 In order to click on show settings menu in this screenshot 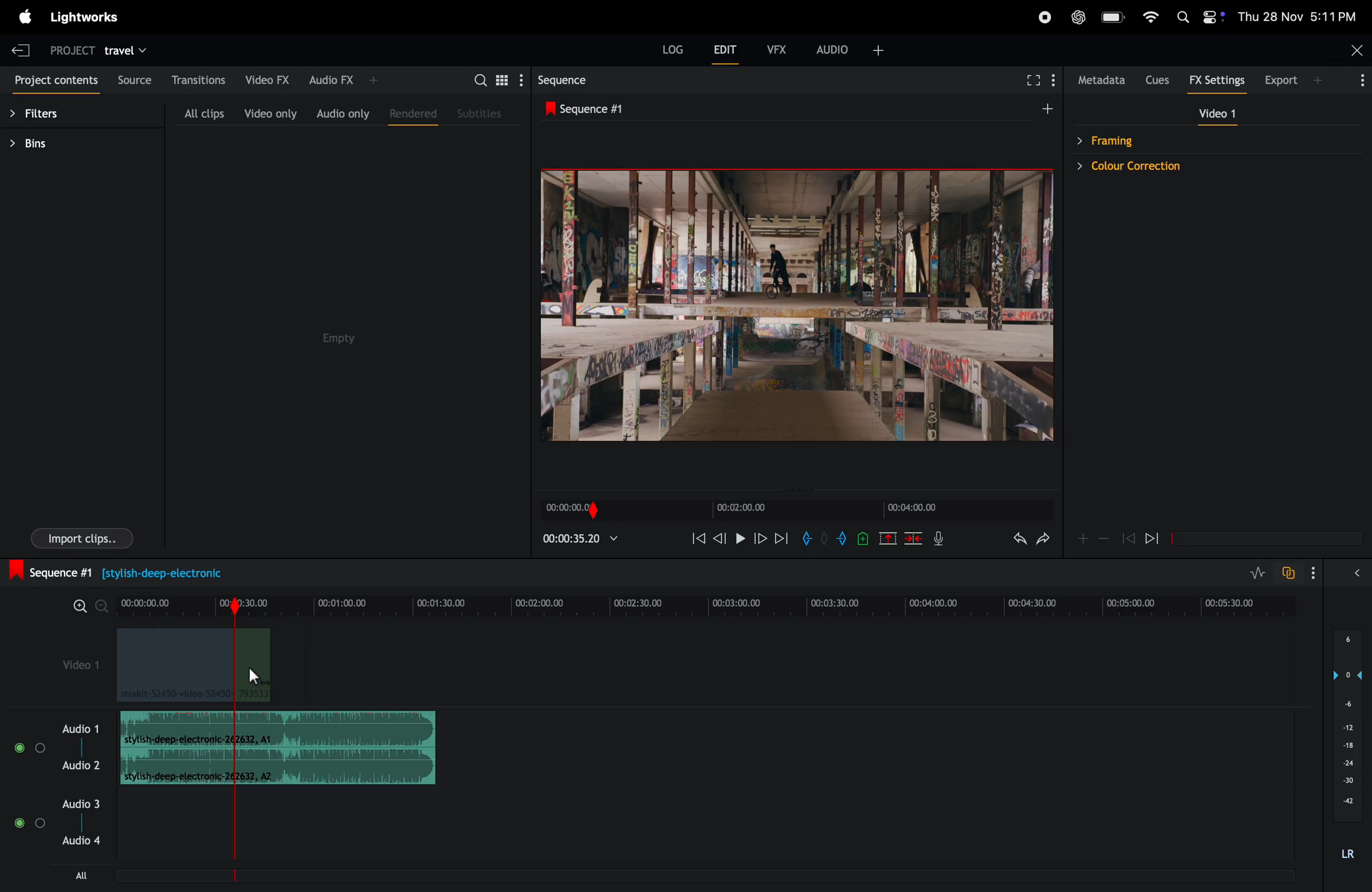, I will do `click(521, 81)`.